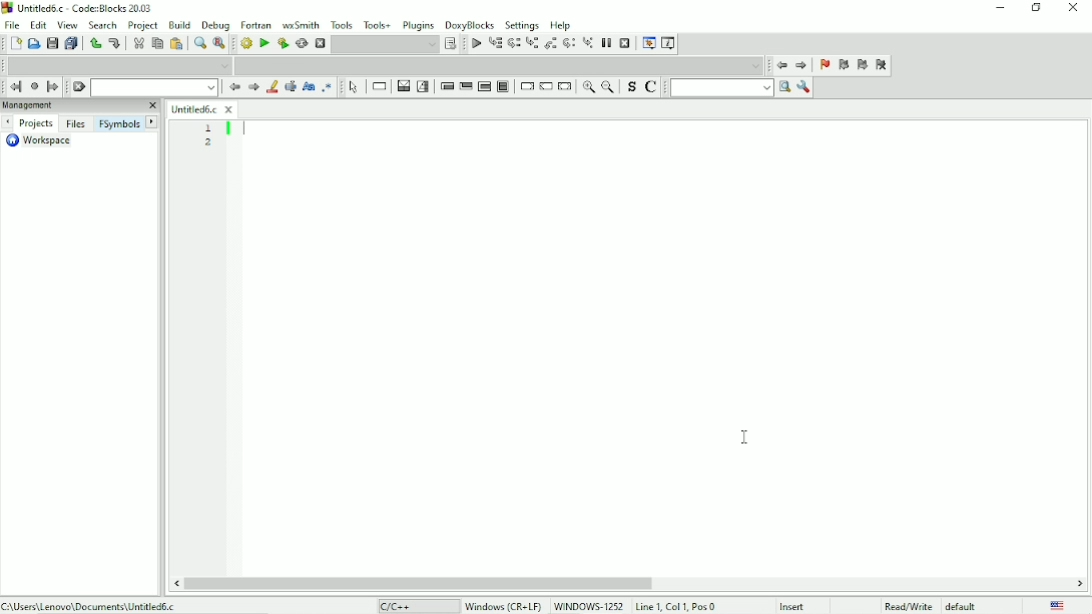 The height and width of the screenshot is (614, 1092). What do you see at coordinates (805, 88) in the screenshot?
I see `Show options window` at bounding box center [805, 88].